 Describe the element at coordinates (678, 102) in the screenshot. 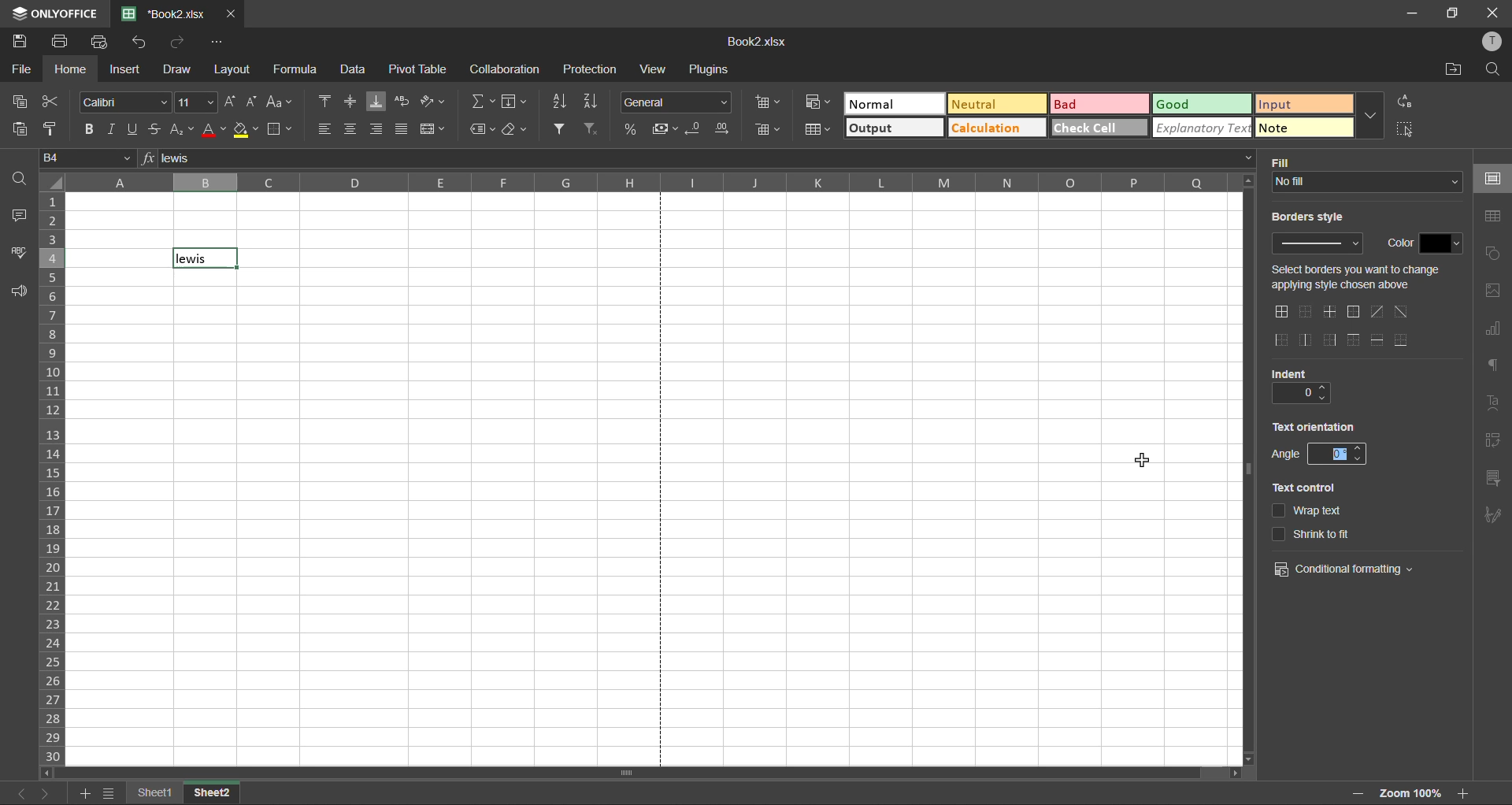

I see `number format` at that location.